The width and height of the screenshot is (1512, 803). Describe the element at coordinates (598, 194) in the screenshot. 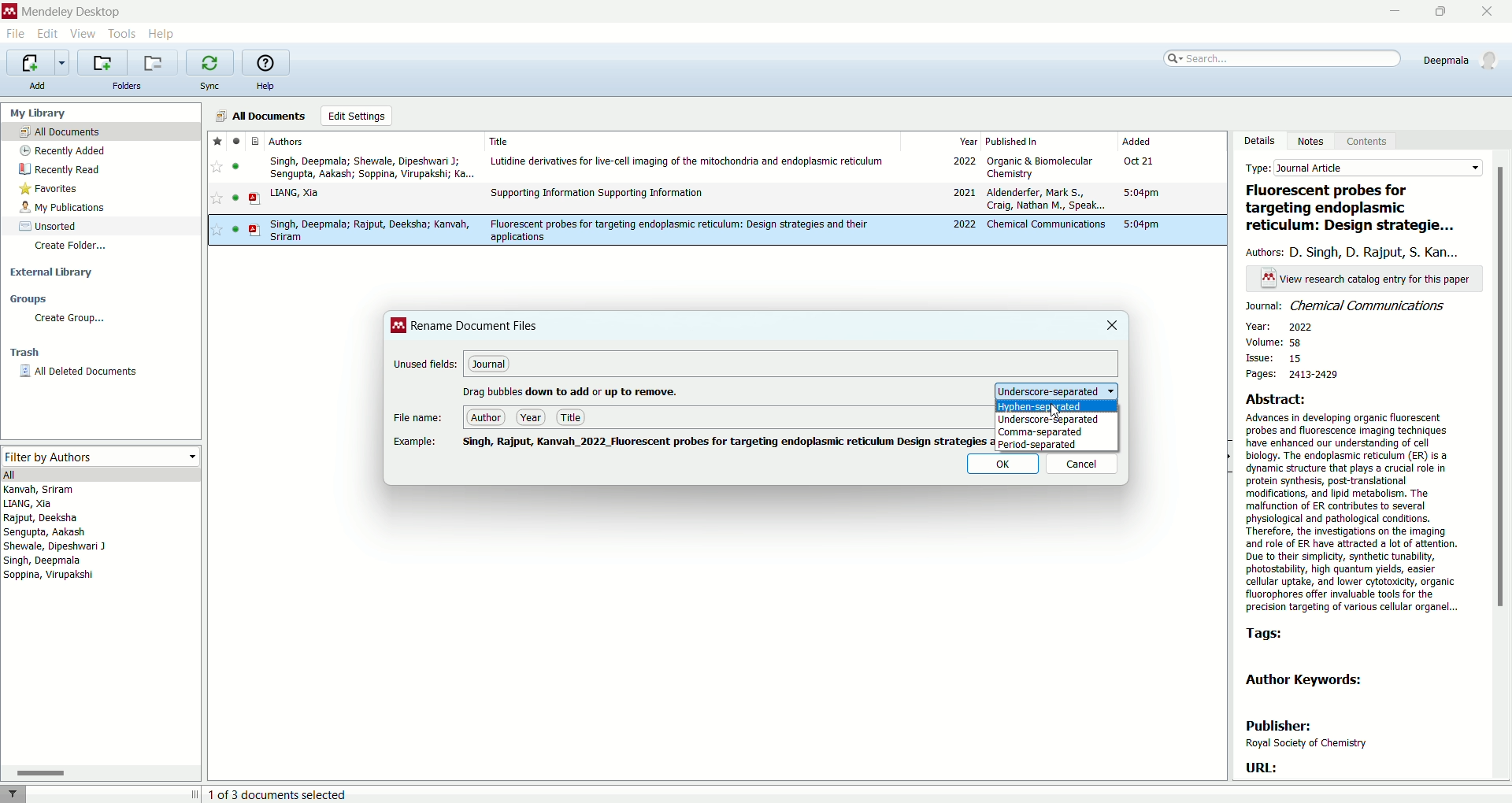

I see `Supporting Information Supporting Information` at that location.